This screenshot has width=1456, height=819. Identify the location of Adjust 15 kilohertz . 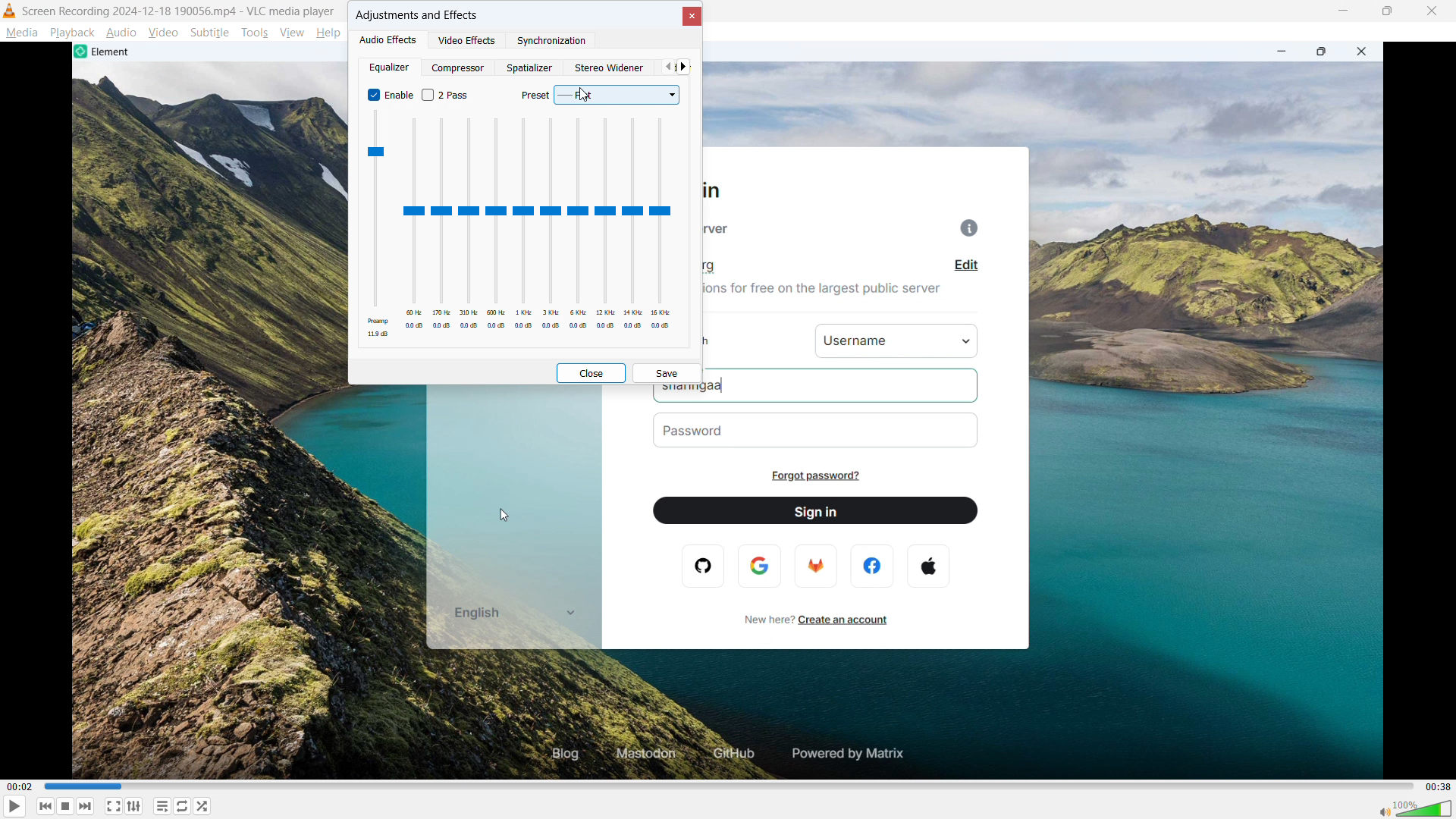
(661, 224).